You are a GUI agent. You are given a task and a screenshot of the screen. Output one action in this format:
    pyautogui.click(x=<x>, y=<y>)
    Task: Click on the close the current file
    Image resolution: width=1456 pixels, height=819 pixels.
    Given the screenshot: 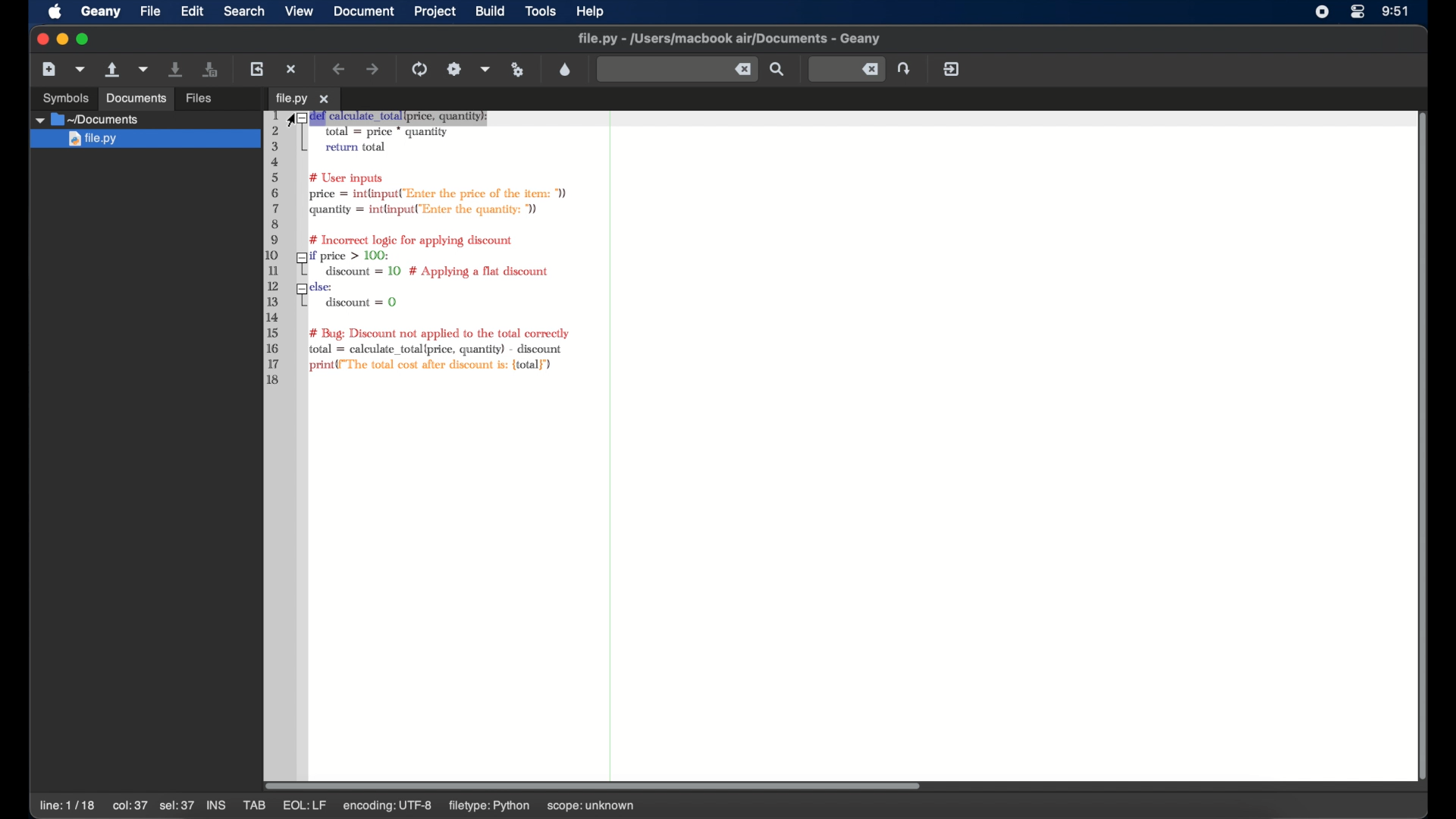 What is the action you would take?
    pyautogui.click(x=292, y=68)
    